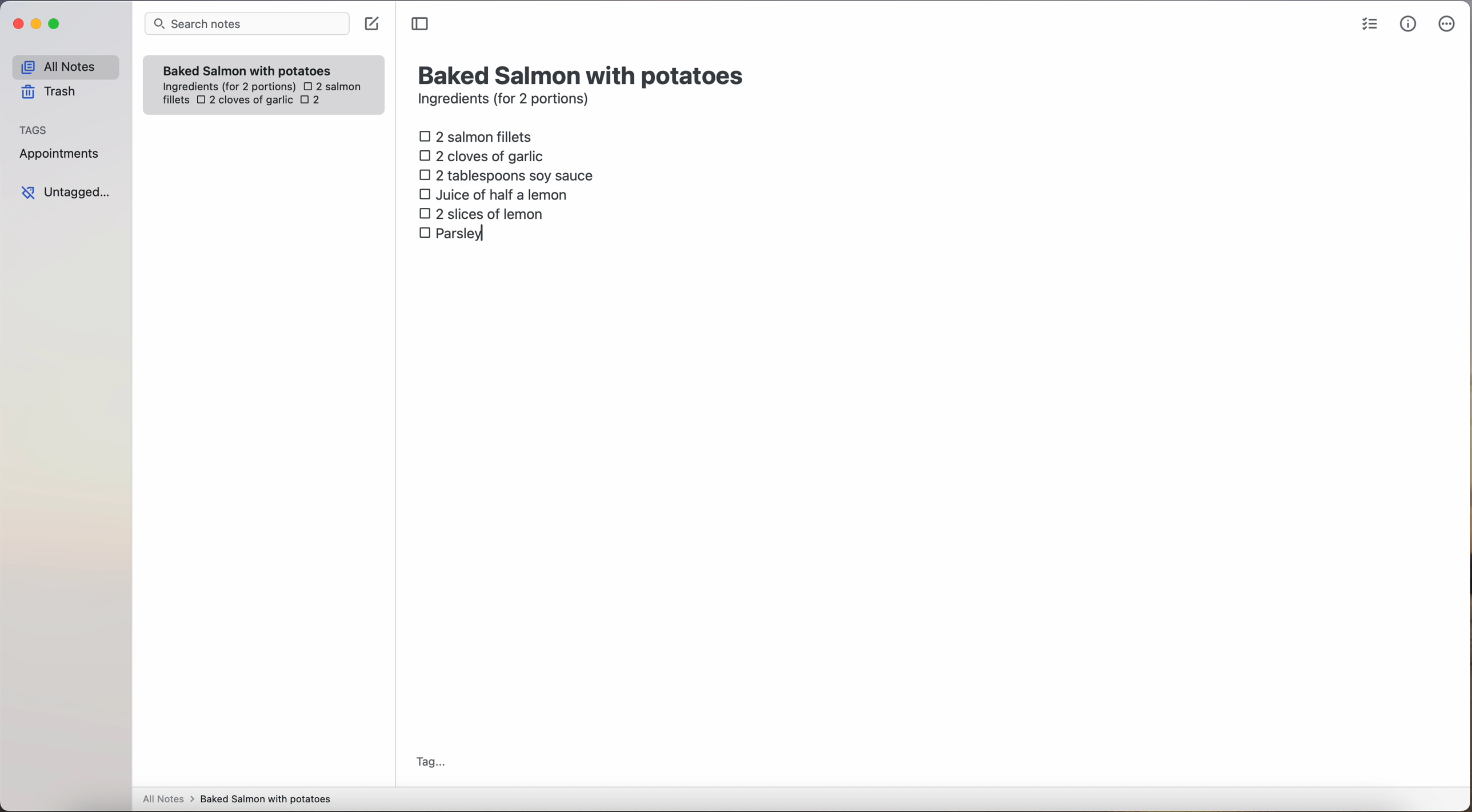 The height and width of the screenshot is (812, 1472). Describe the element at coordinates (506, 175) in the screenshot. I see `2 tablespoons soy sauce` at that location.